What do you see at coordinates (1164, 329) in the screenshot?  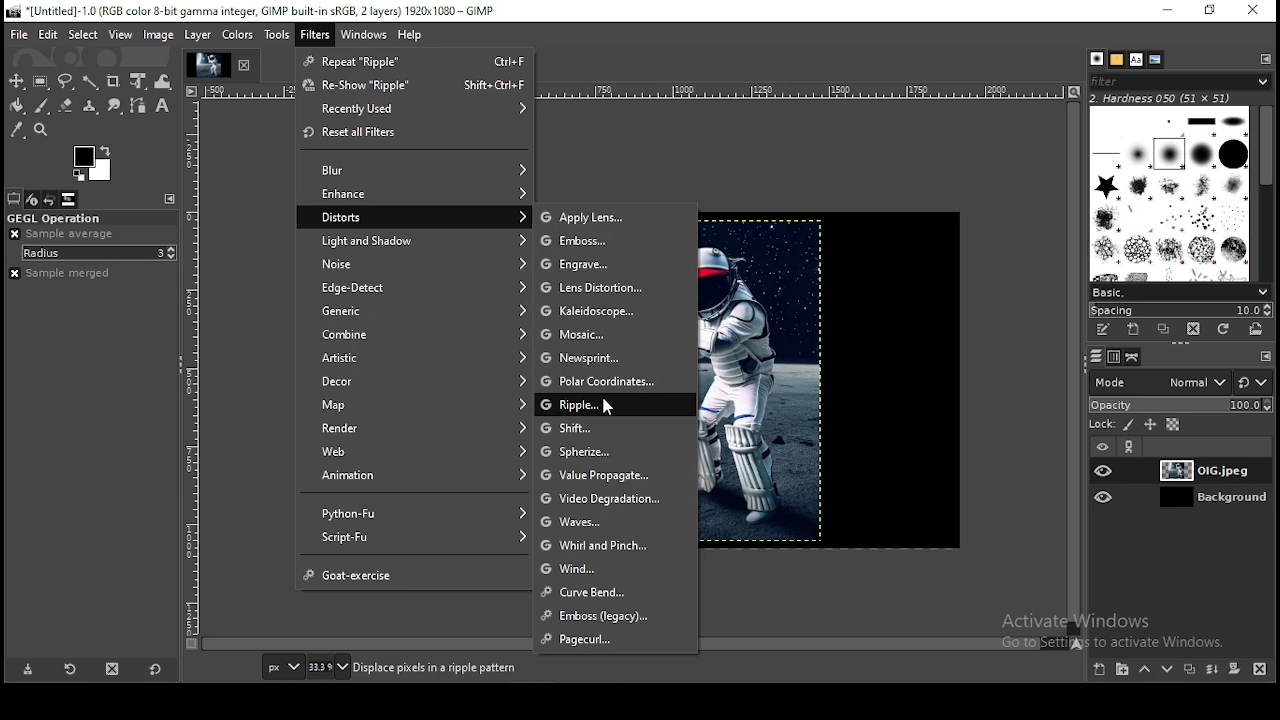 I see `duplicate this brush` at bounding box center [1164, 329].